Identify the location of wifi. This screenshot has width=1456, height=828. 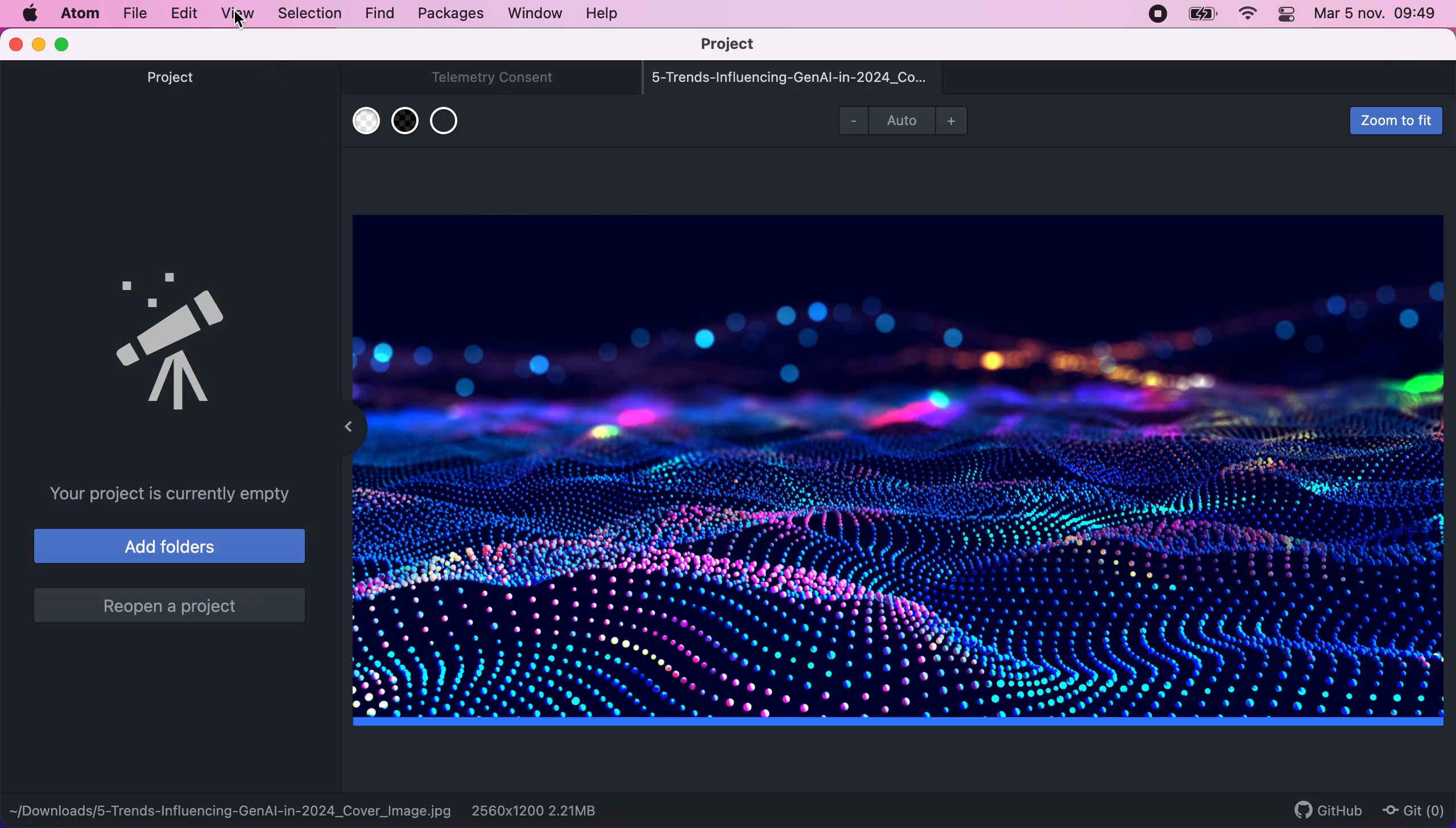
(1248, 16).